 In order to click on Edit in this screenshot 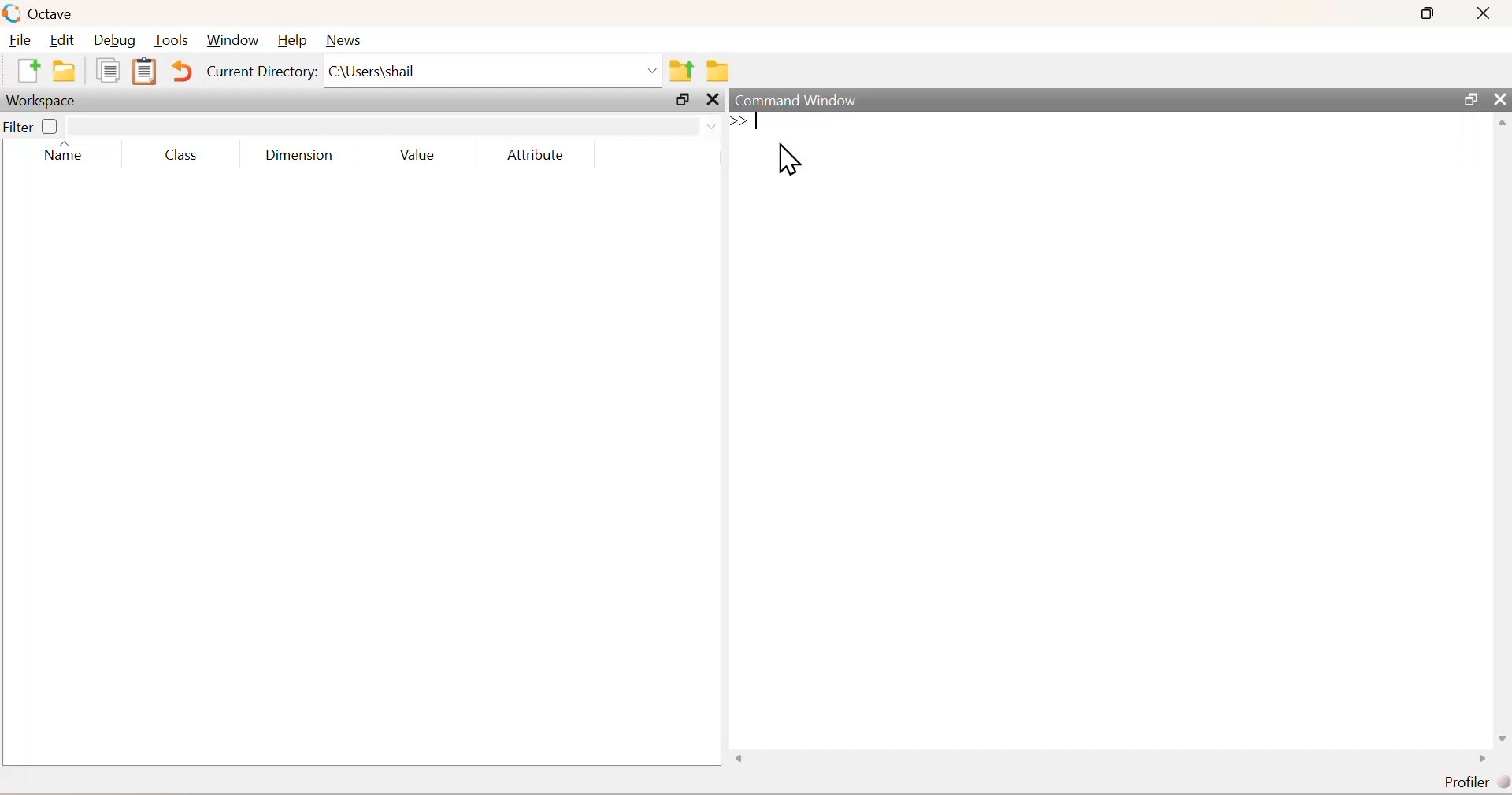, I will do `click(64, 40)`.